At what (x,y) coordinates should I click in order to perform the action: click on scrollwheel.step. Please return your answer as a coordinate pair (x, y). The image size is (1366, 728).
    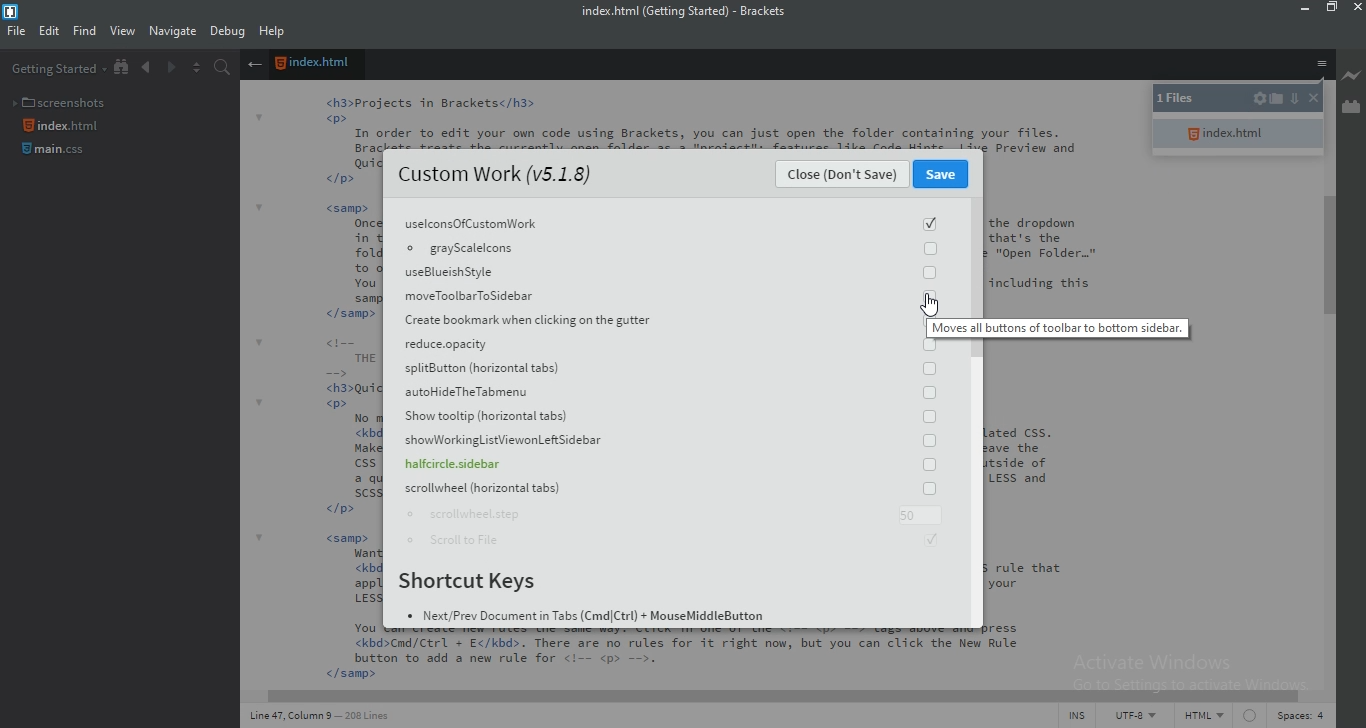
    Looking at the image, I should click on (669, 516).